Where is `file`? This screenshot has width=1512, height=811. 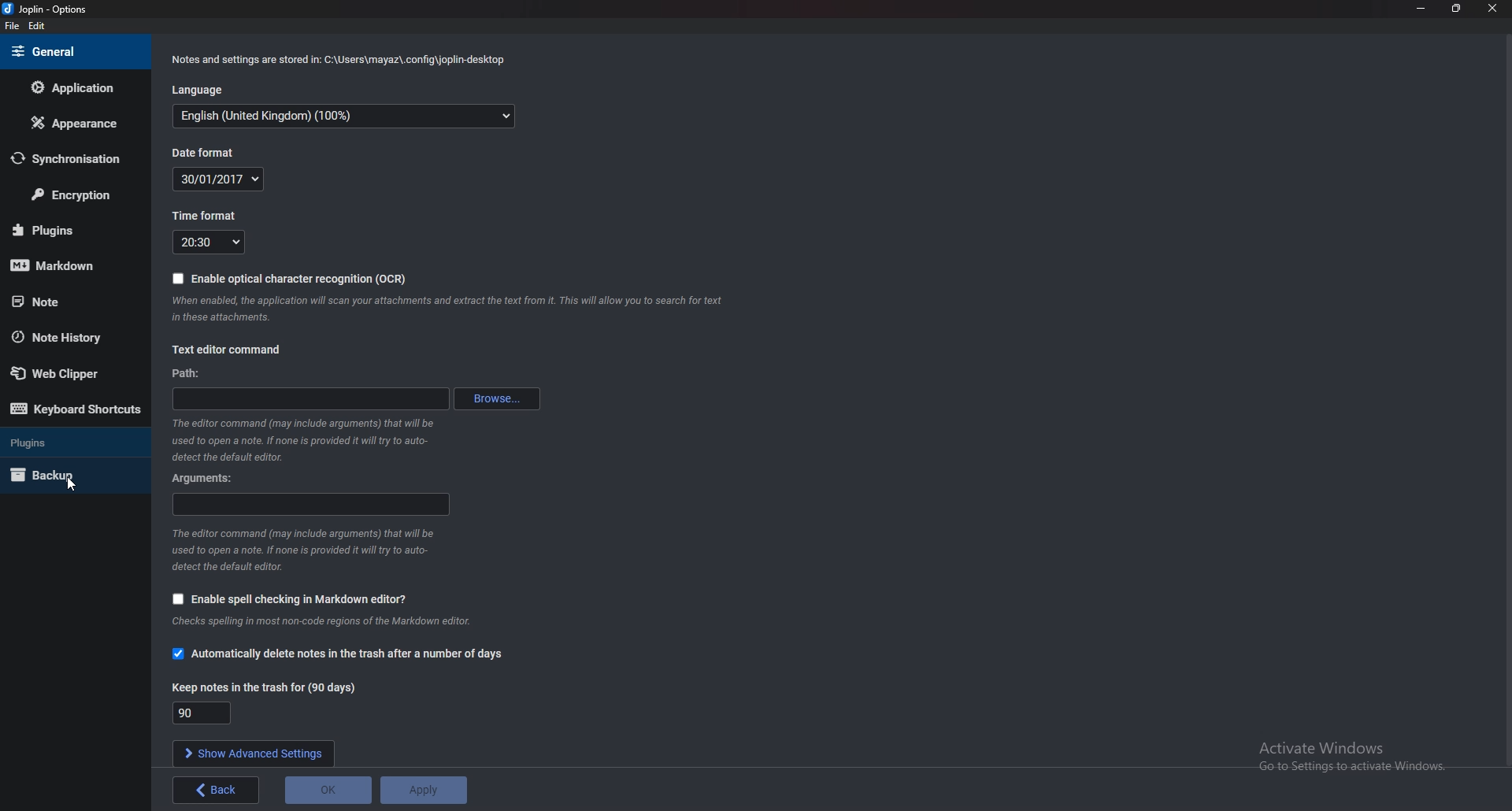 file is located at coordinates (13, 26).